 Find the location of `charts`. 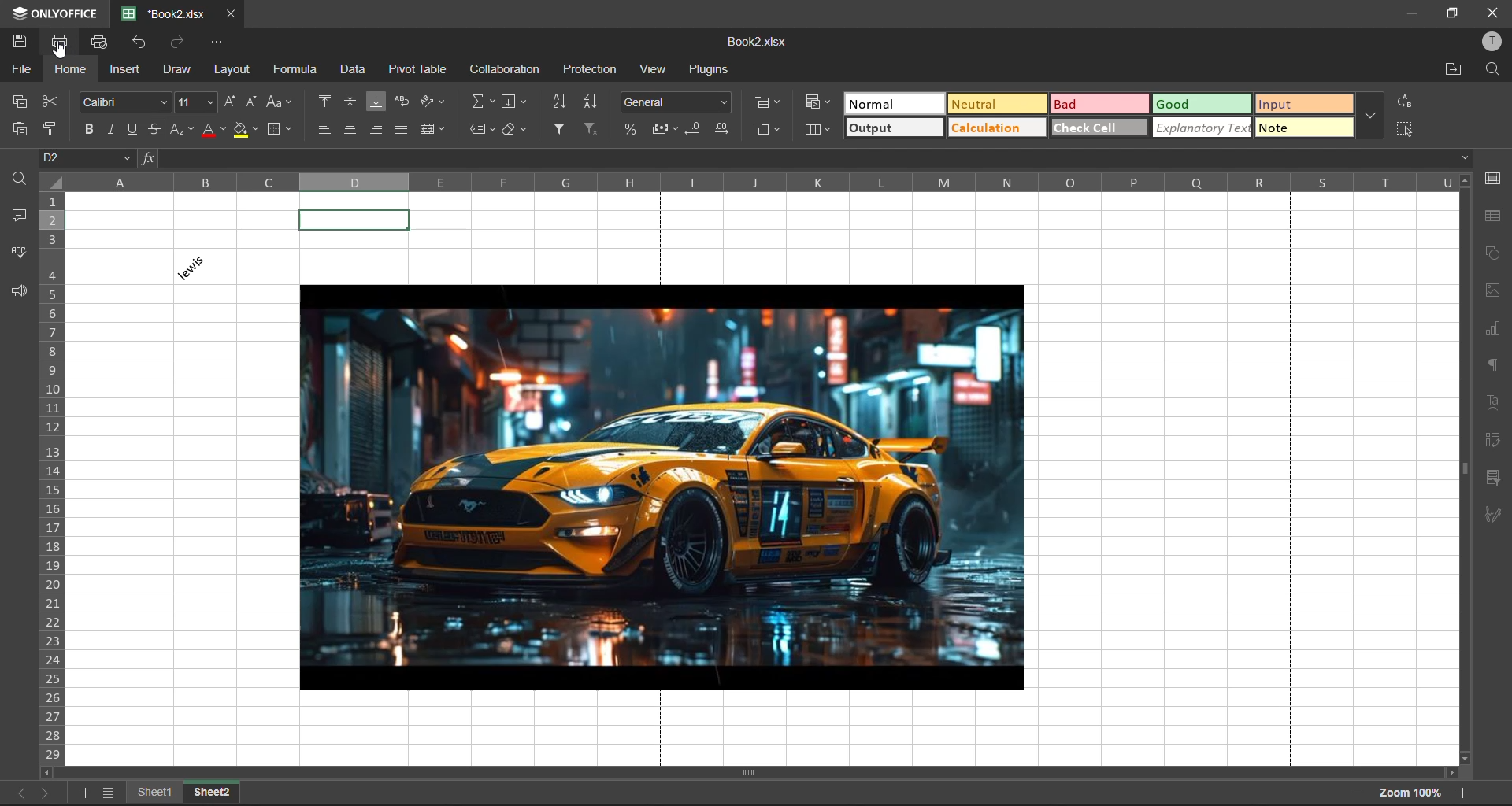

charts is located at coordinates (1495, 329).